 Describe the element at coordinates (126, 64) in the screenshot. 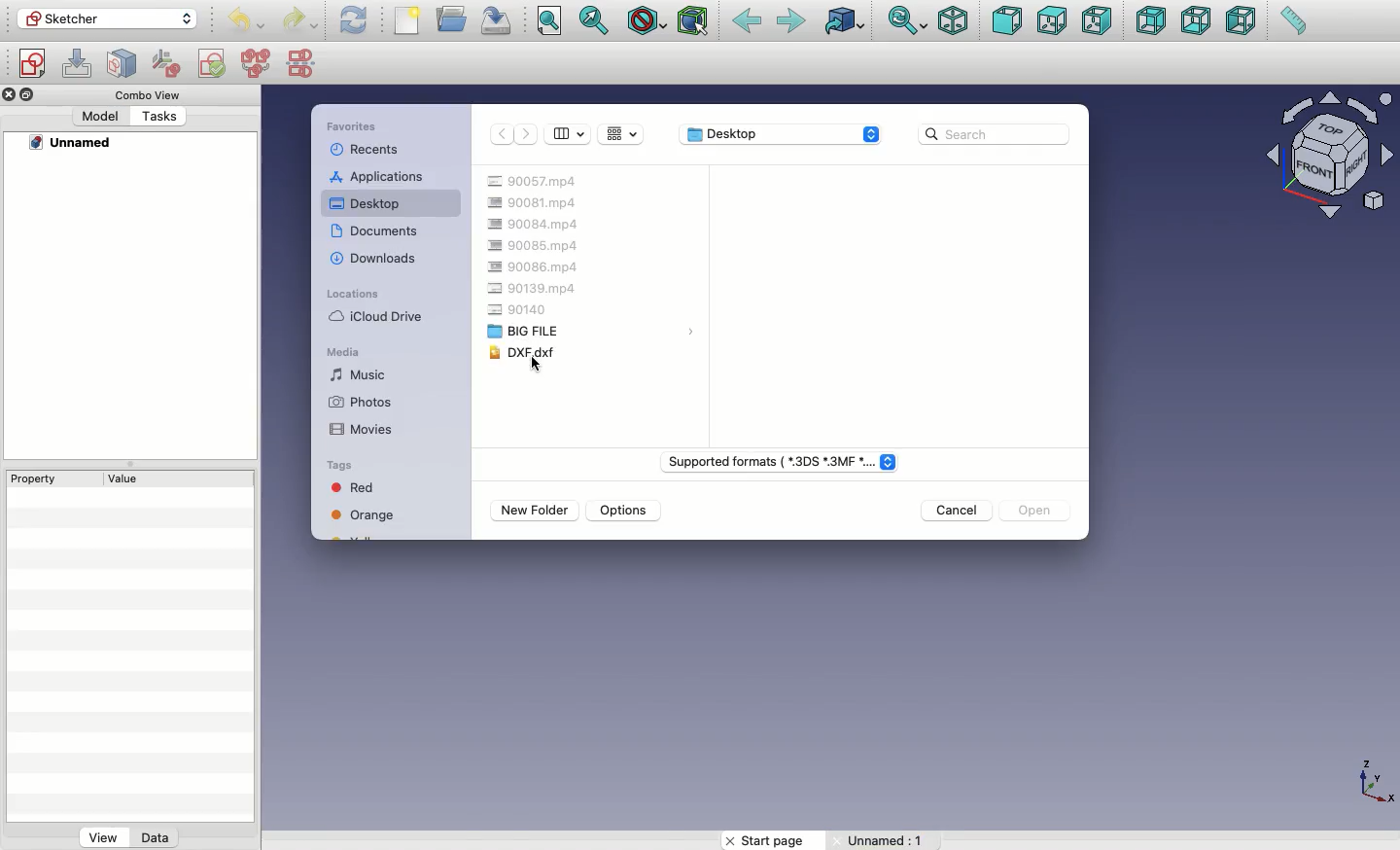

I see `Map sketch to face` at that location.